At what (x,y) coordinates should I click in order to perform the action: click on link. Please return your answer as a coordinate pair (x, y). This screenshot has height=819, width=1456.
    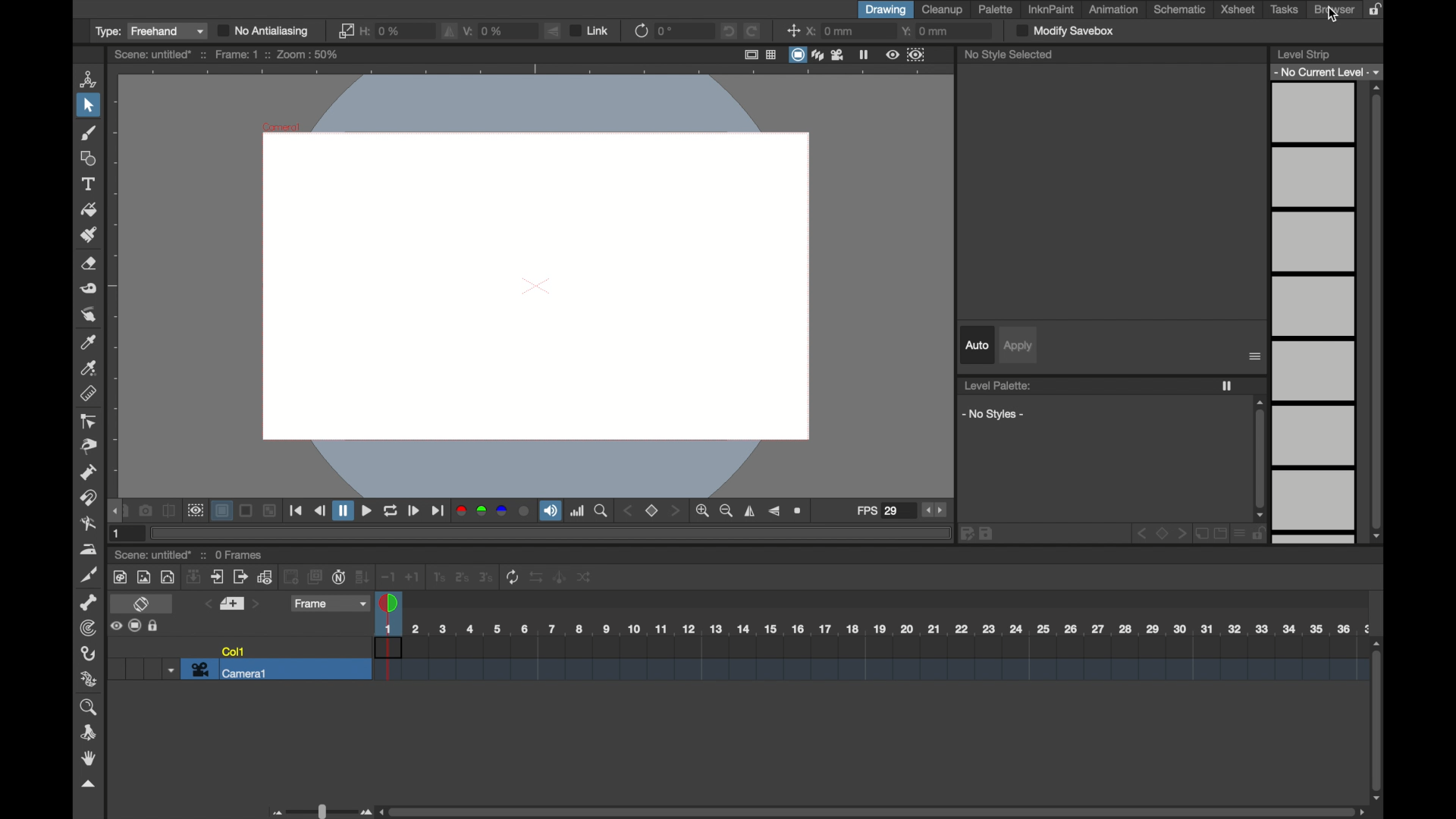
    Looking at the image, I should click on (344, 30).